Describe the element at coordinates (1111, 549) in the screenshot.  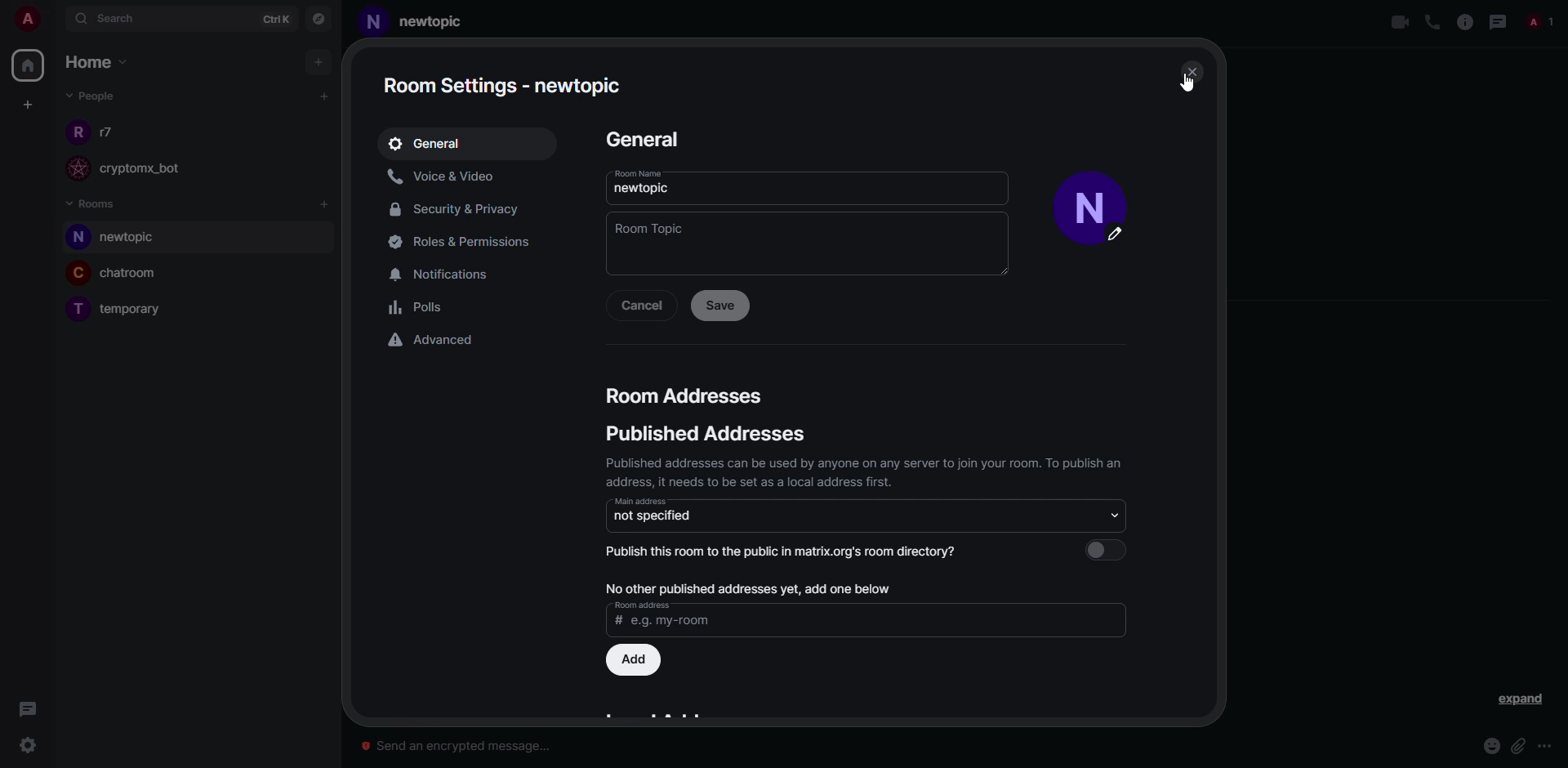
I see `enable` at that location.